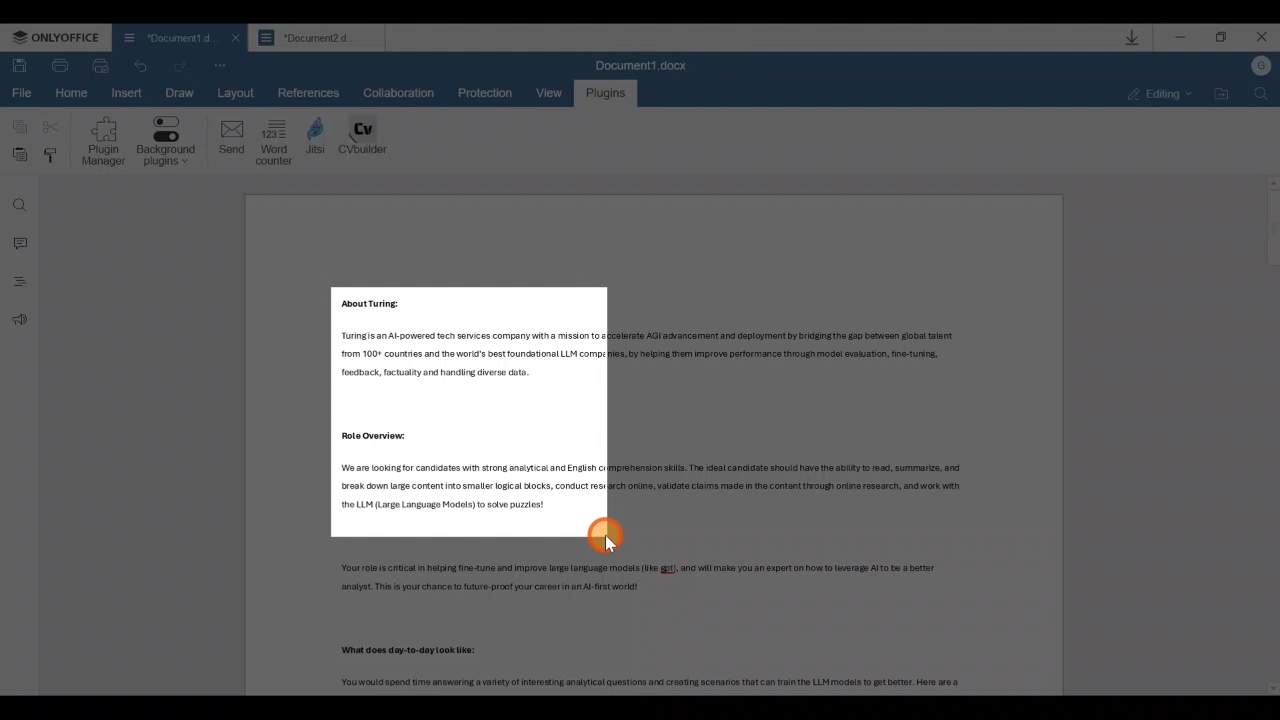  I want to click on Downloads, so click(1129, 37).